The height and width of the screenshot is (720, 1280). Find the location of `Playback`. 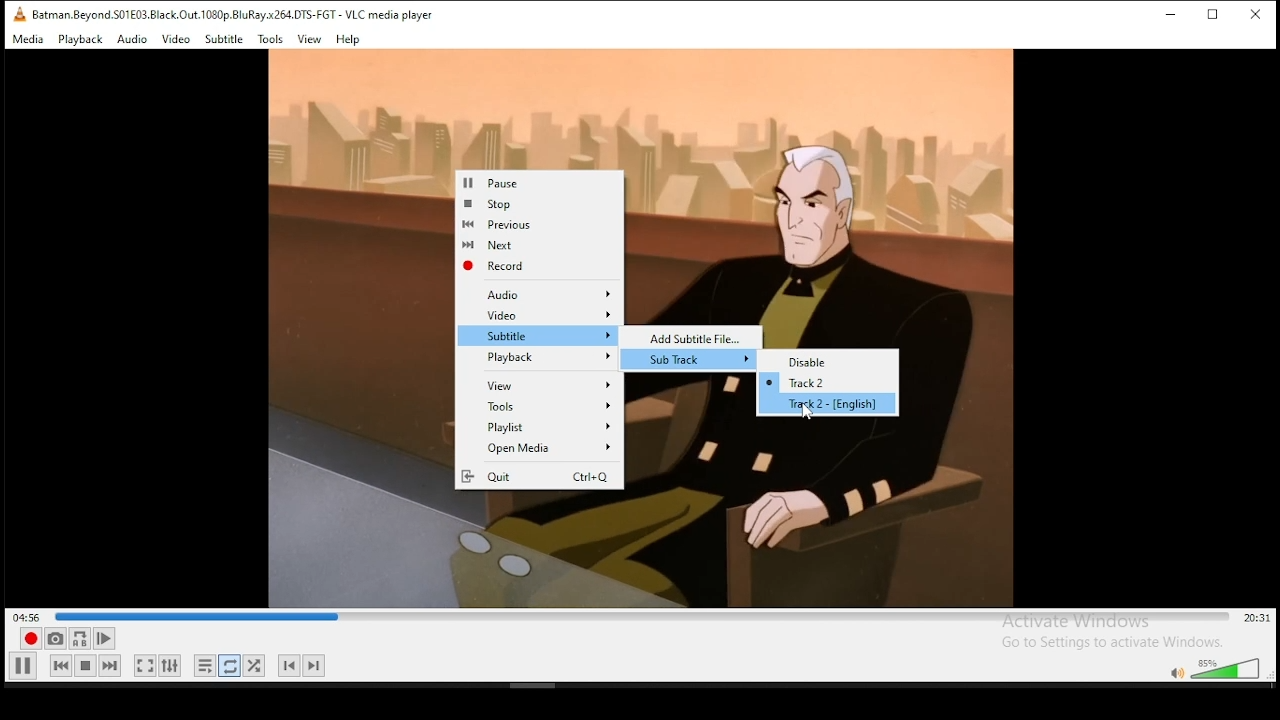

Playback is located at coordinates (81, 40).